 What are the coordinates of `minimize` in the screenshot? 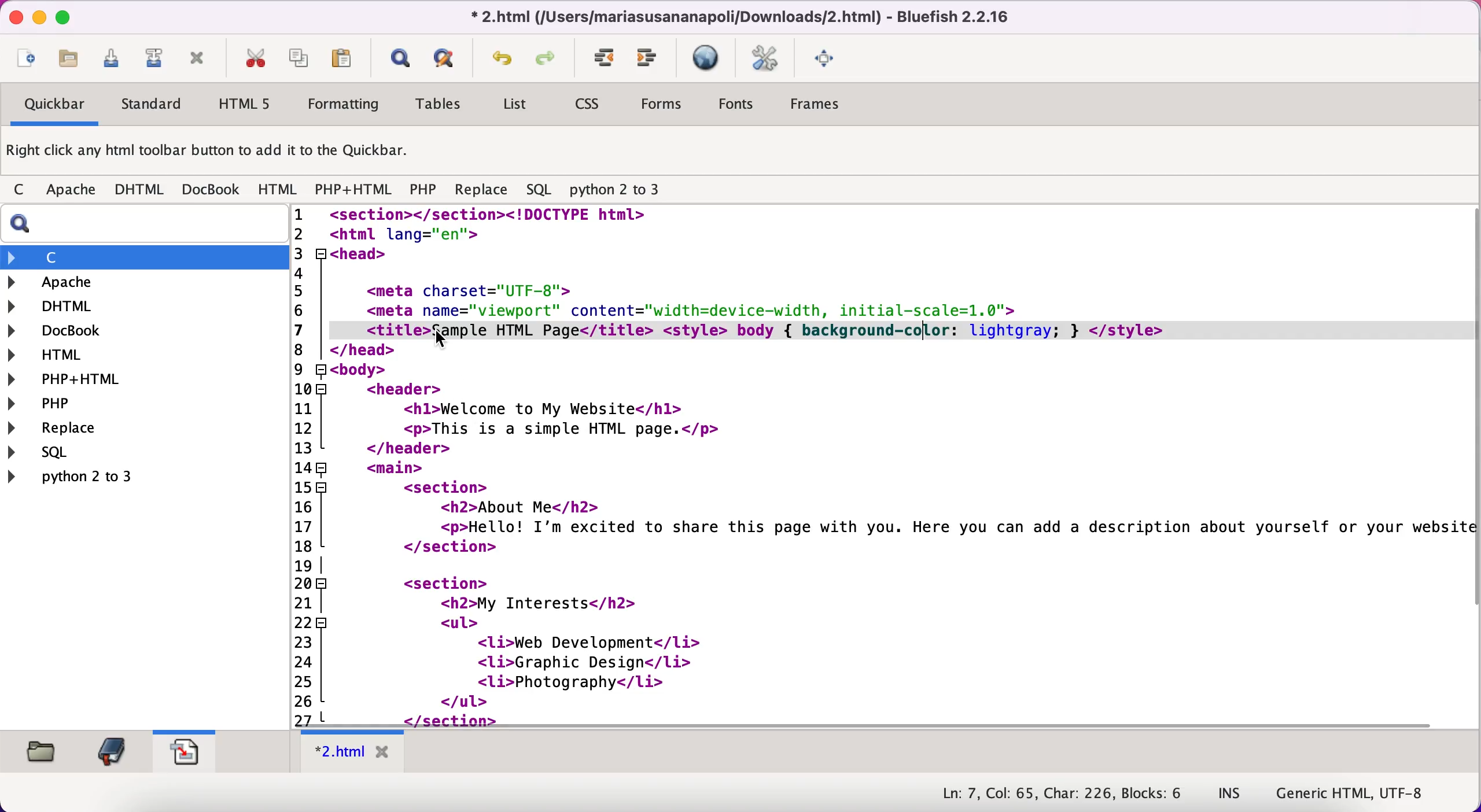 It's located at (38, 18).